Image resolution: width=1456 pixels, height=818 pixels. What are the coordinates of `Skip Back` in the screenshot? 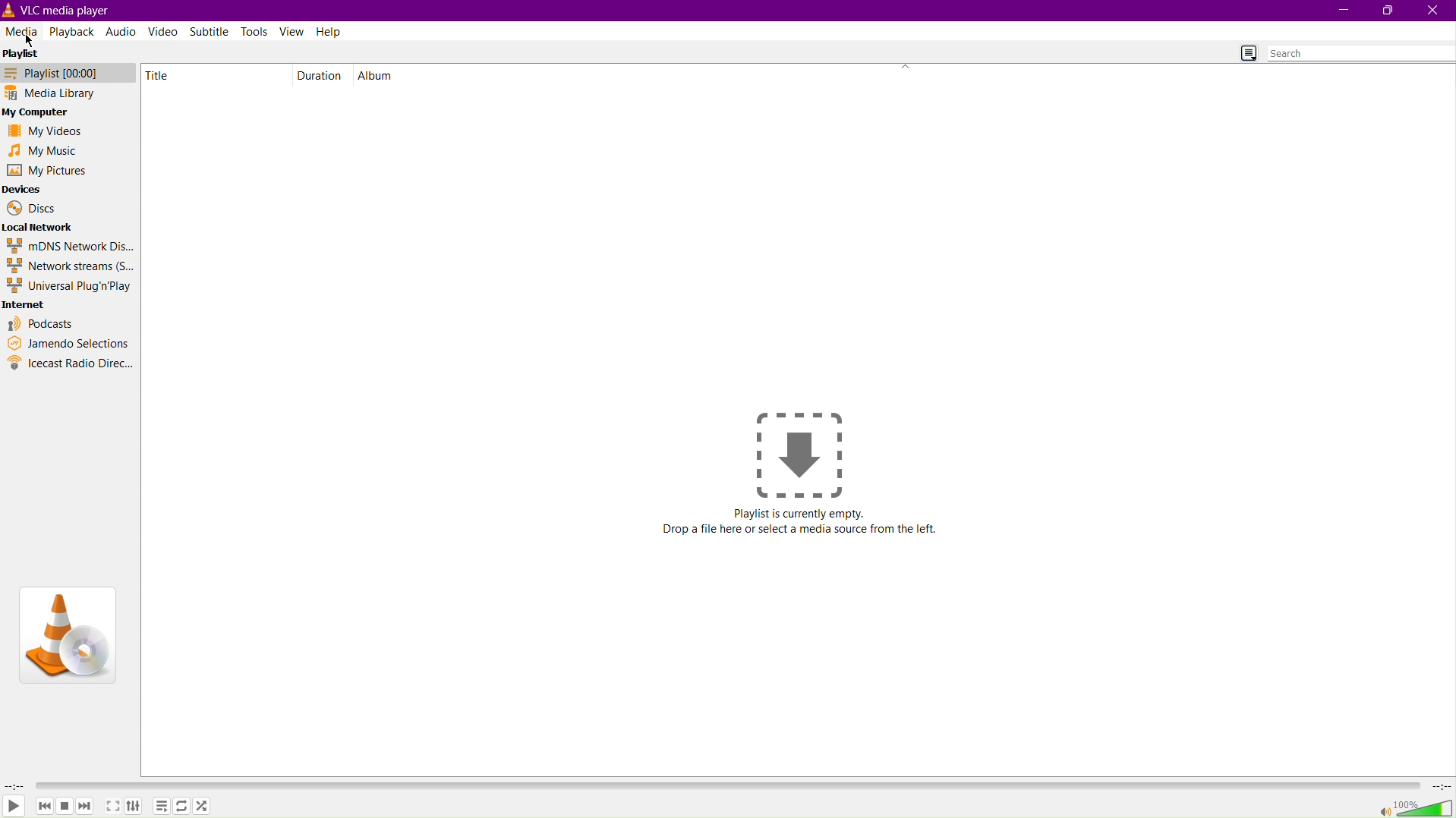 It's located at (45, 807).